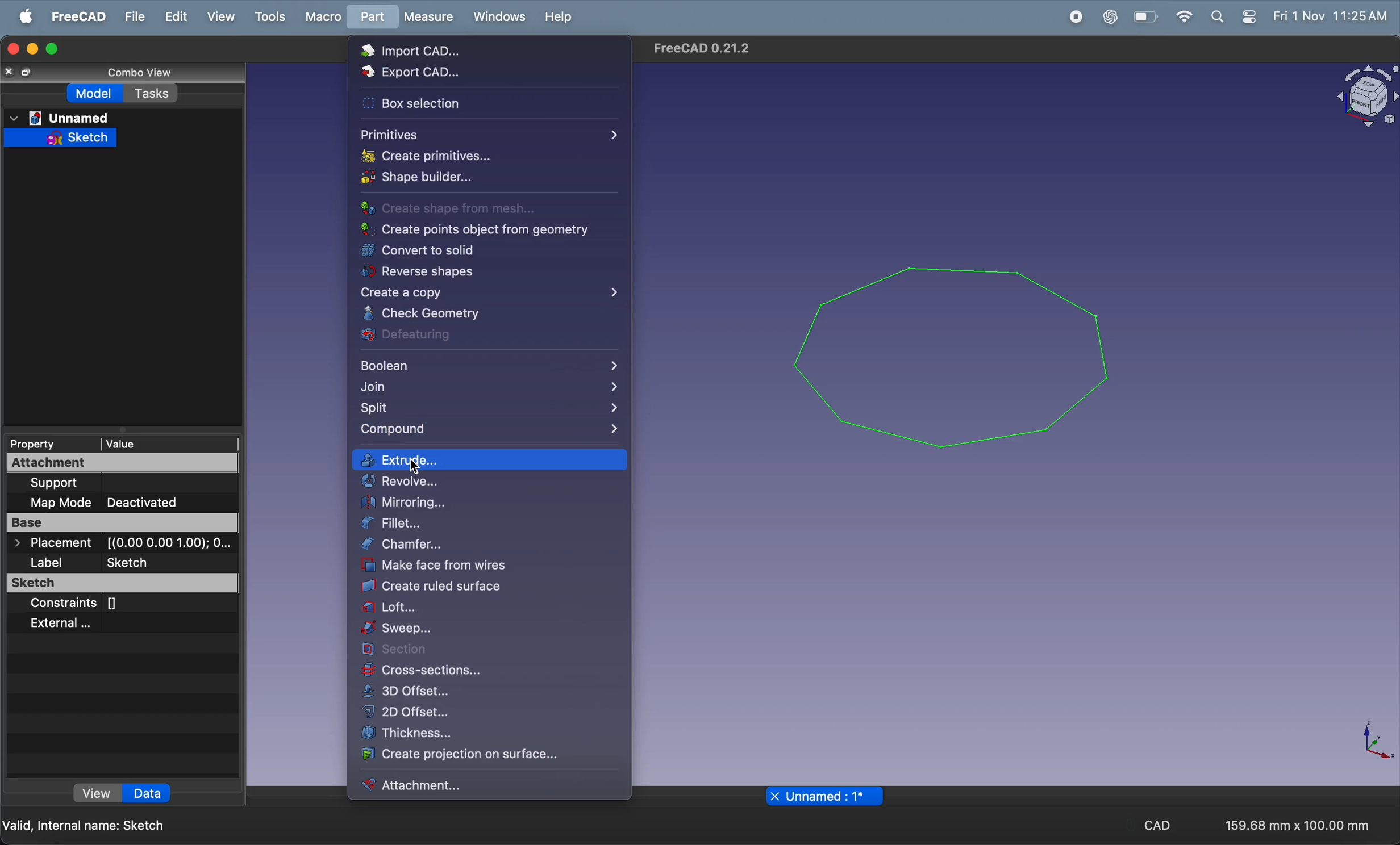  What do you see at coordinates (463, 210) in the screenshot?
I see `create shape from mesh` at bounding box center [463, 210].